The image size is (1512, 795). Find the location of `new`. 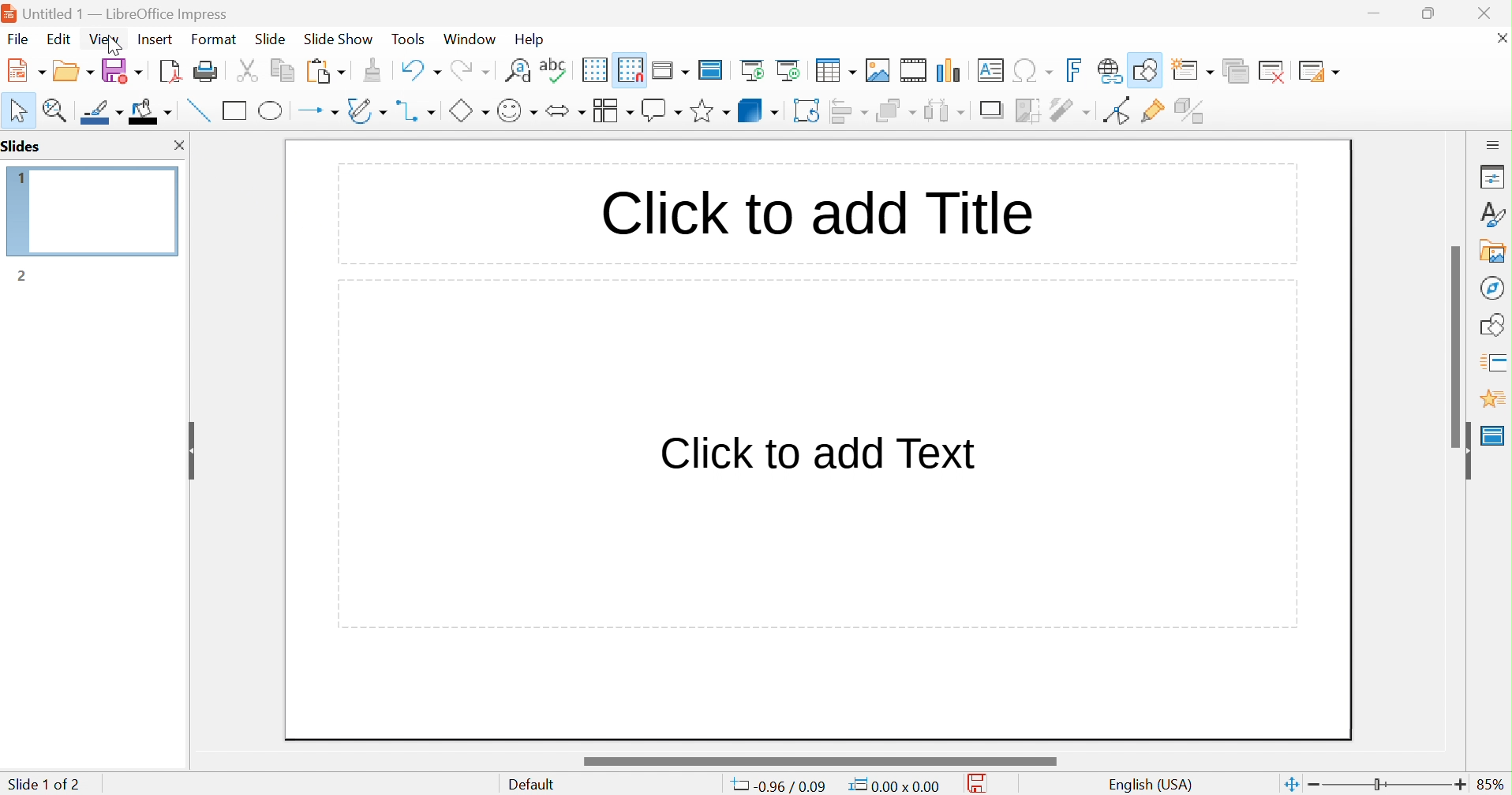

new is located at coordinates (28, 69).